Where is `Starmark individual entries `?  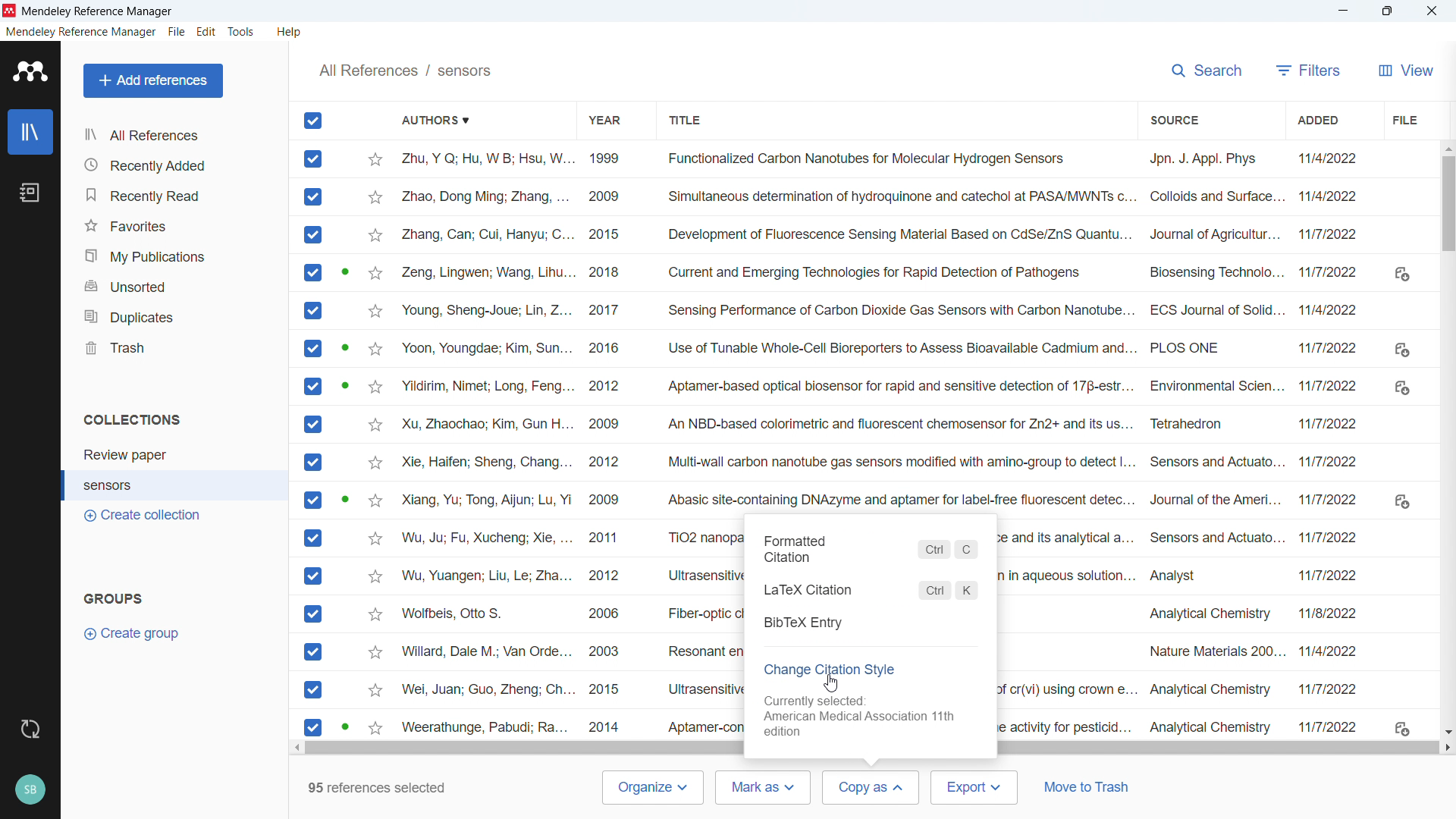
Starmark individual entries  is located at coordinates (375, 443).